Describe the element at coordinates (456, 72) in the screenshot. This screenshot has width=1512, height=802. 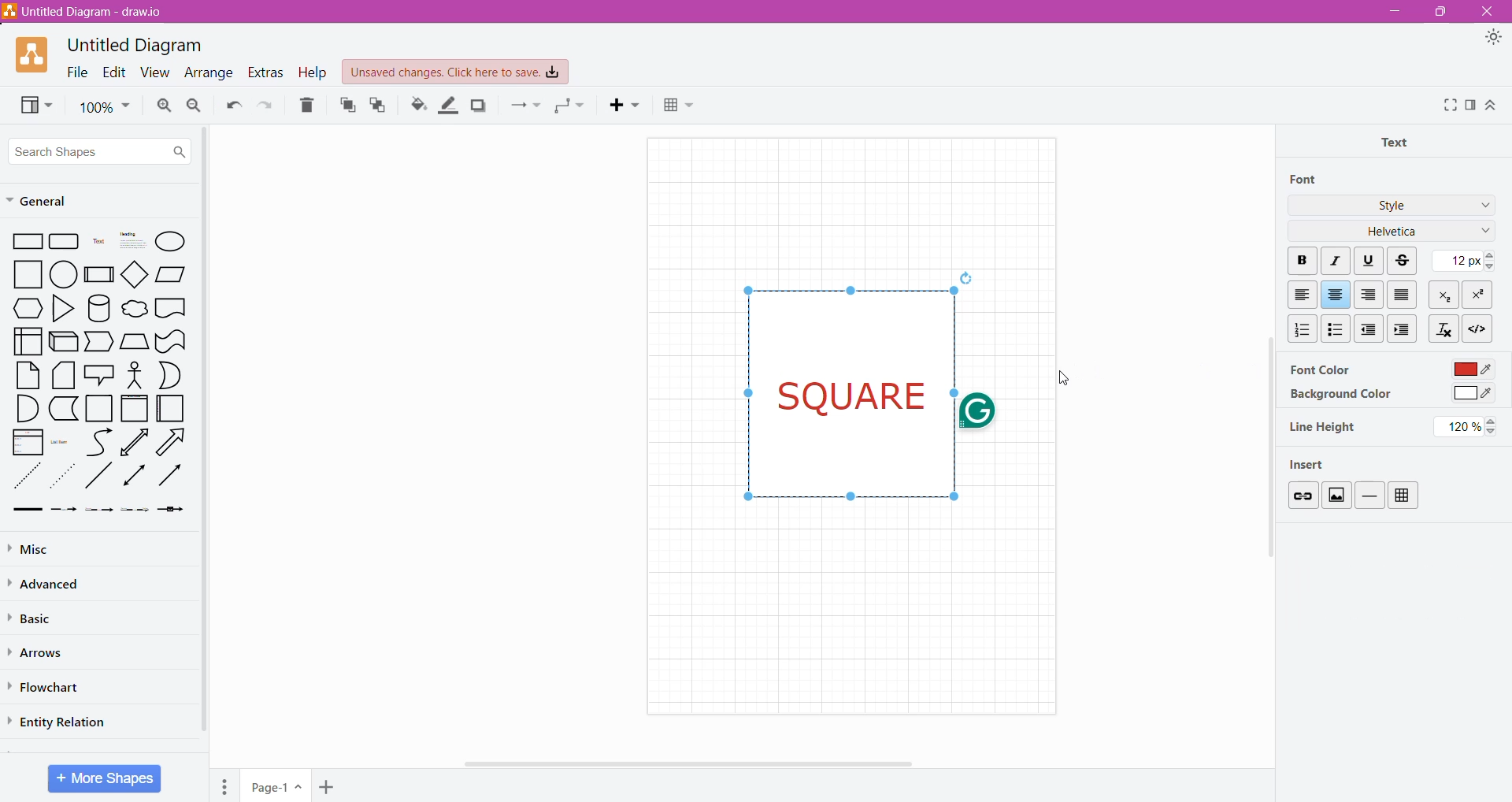
I see `Unsaved Changes. Click here to save` at that location.